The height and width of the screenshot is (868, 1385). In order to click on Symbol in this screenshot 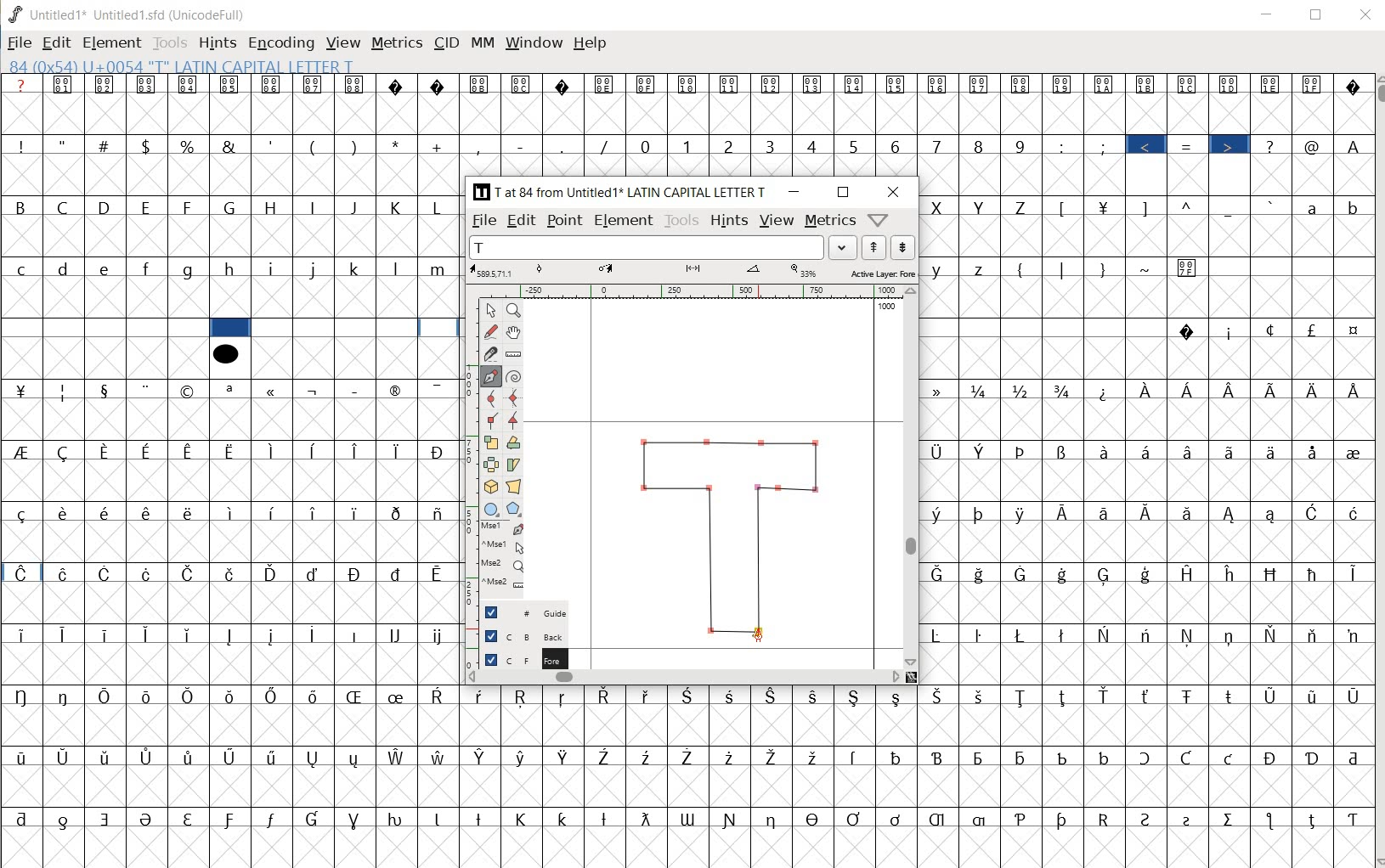, I will do `click(106, 758)`.